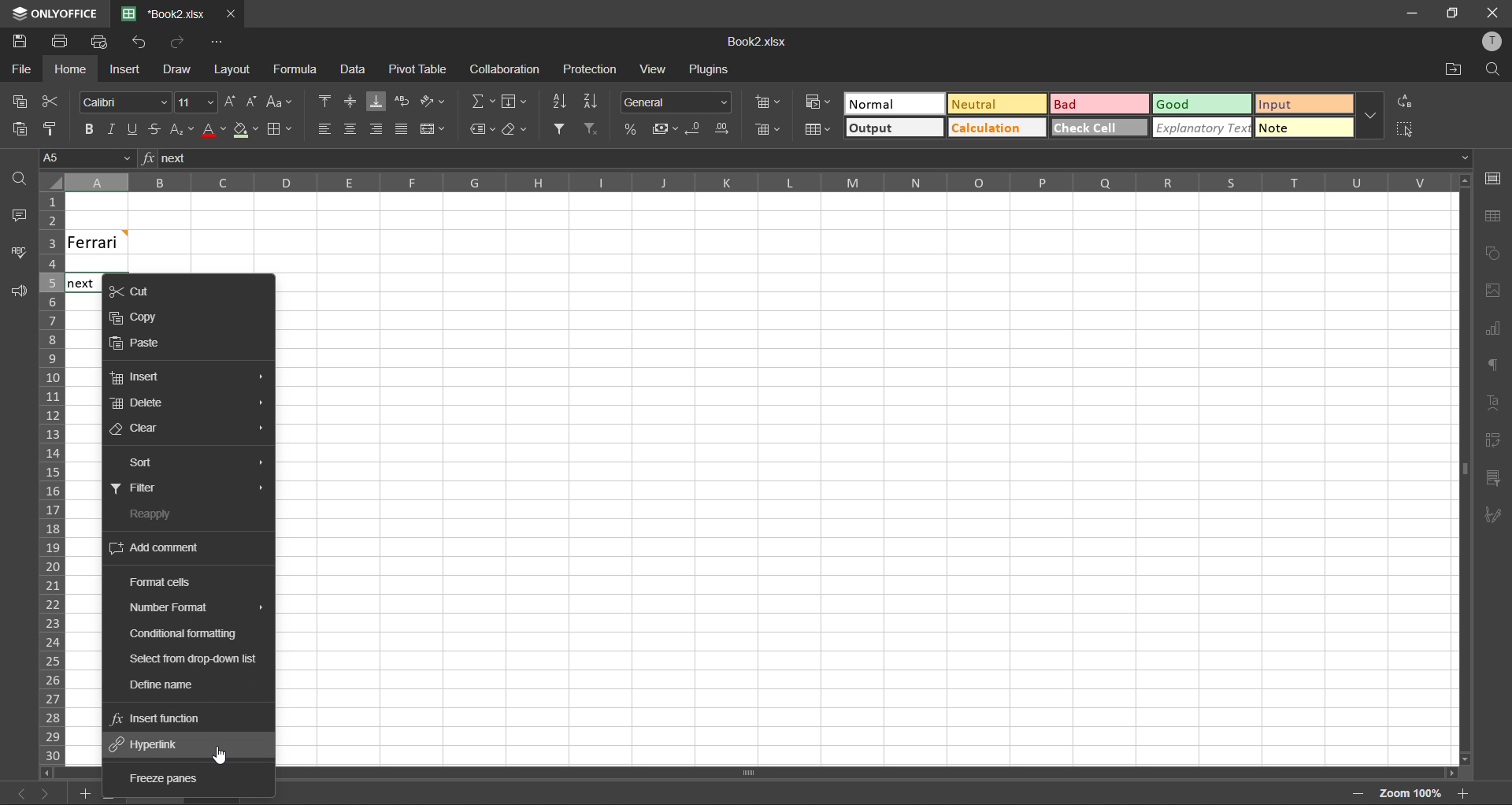  Describe the element at coordinates (141, 377) in the screenshot. I see `insert` at that location.